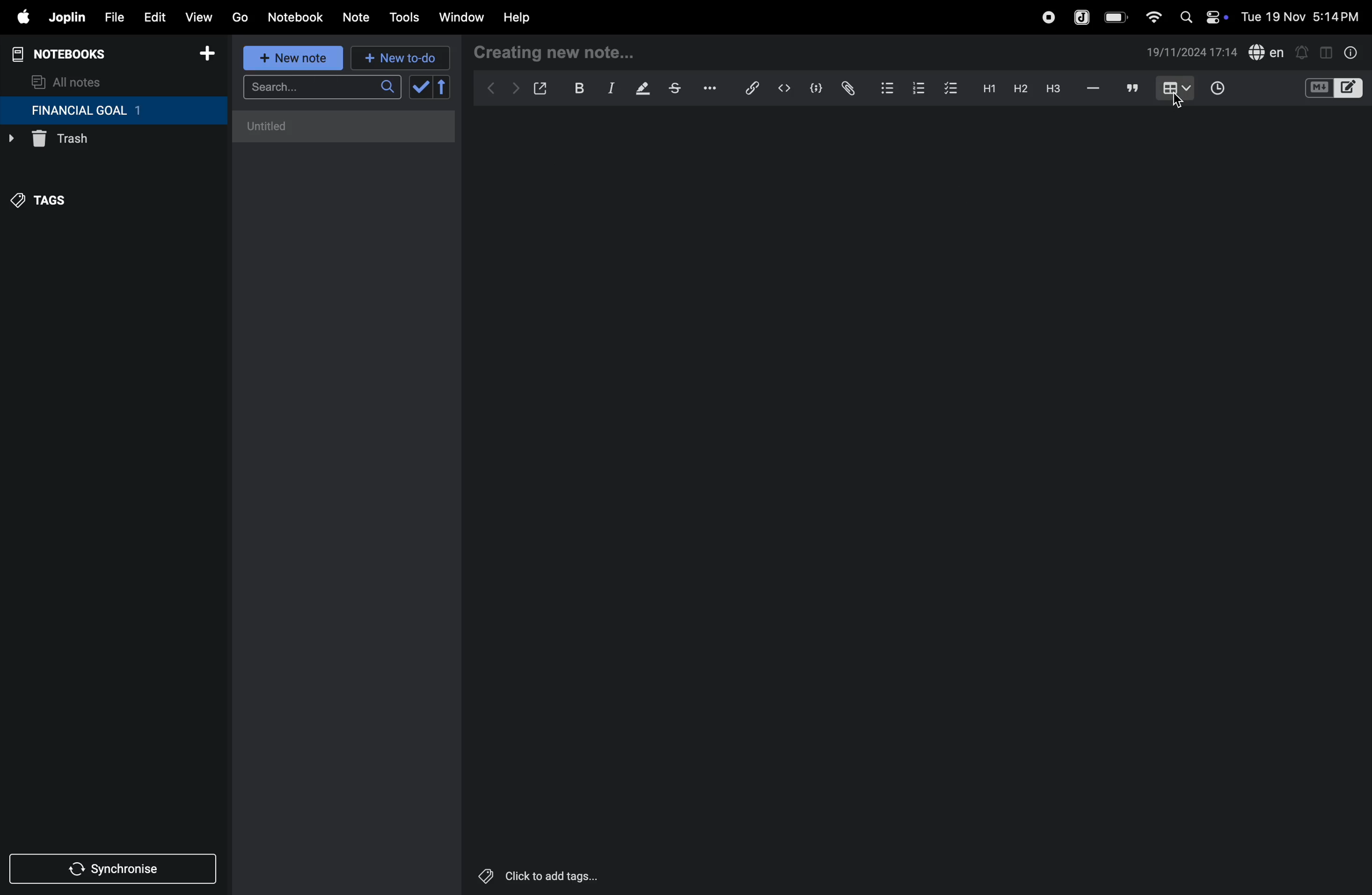 The image size is (1372, 895). I want to click on new to-do, so click(401, 58).